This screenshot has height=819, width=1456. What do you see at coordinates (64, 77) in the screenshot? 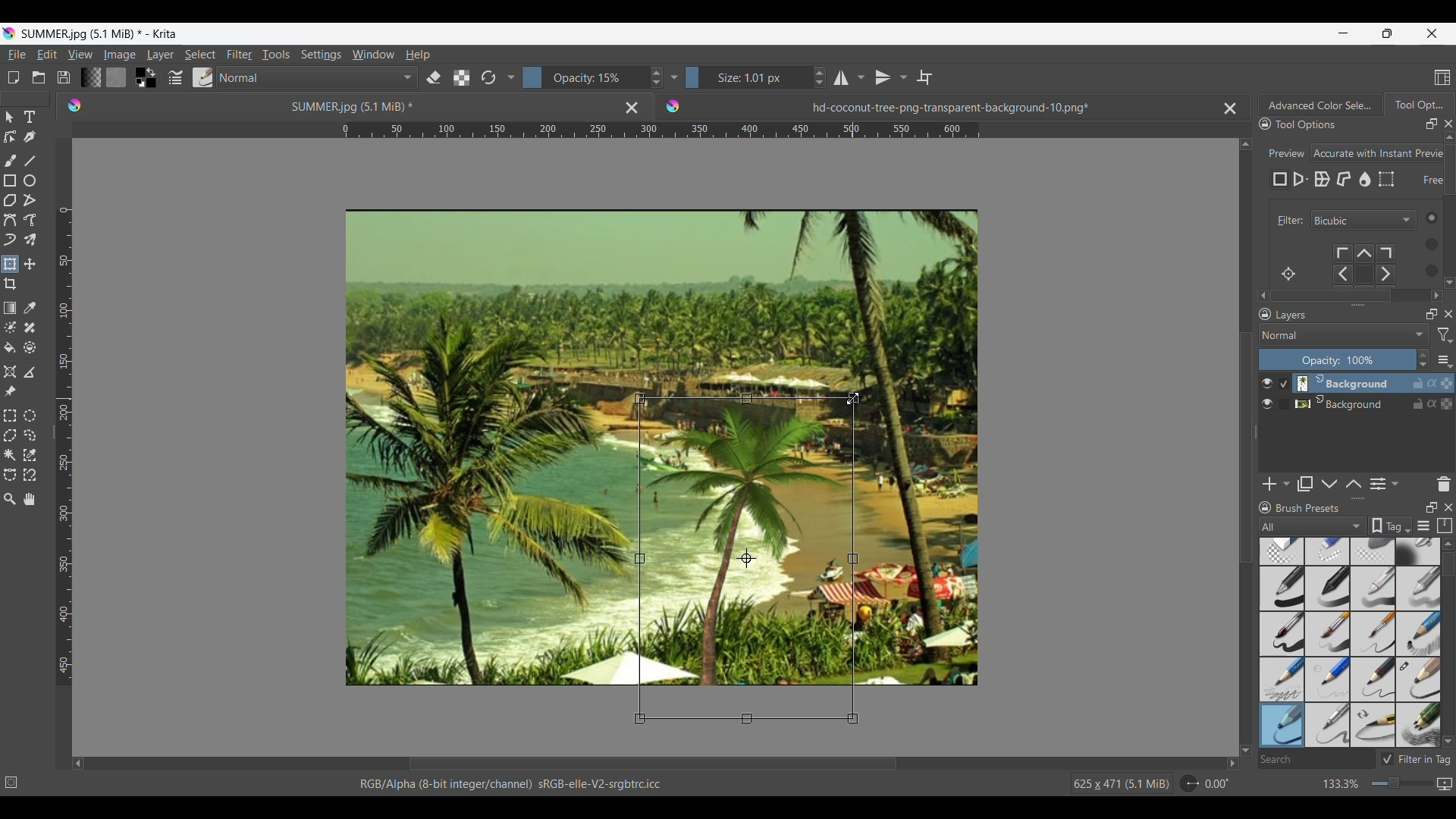
I see `Save` at bounding box center [64, 77].